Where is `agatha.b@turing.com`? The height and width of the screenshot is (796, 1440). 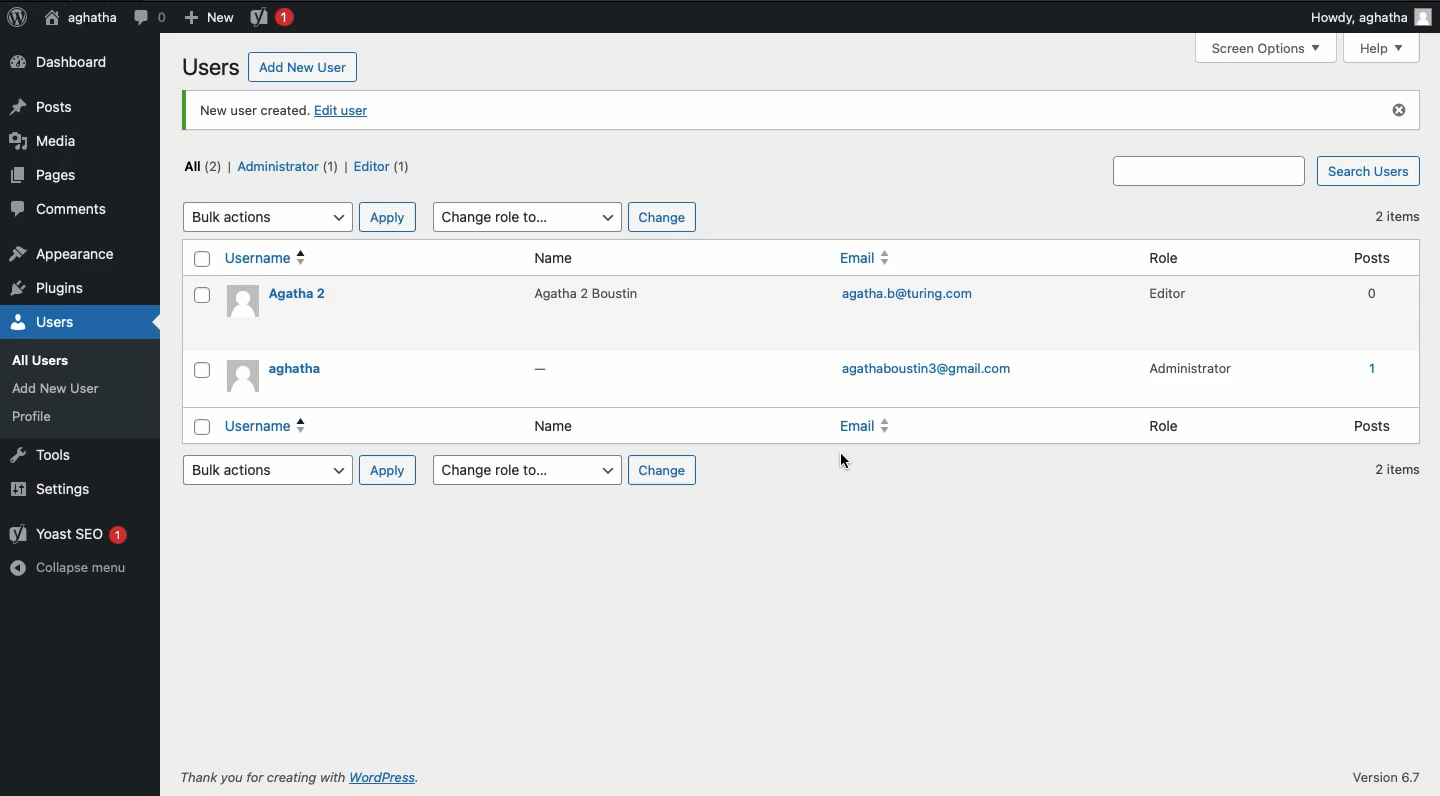
agatha.b@turing.com is located at coordinates (906, 297).